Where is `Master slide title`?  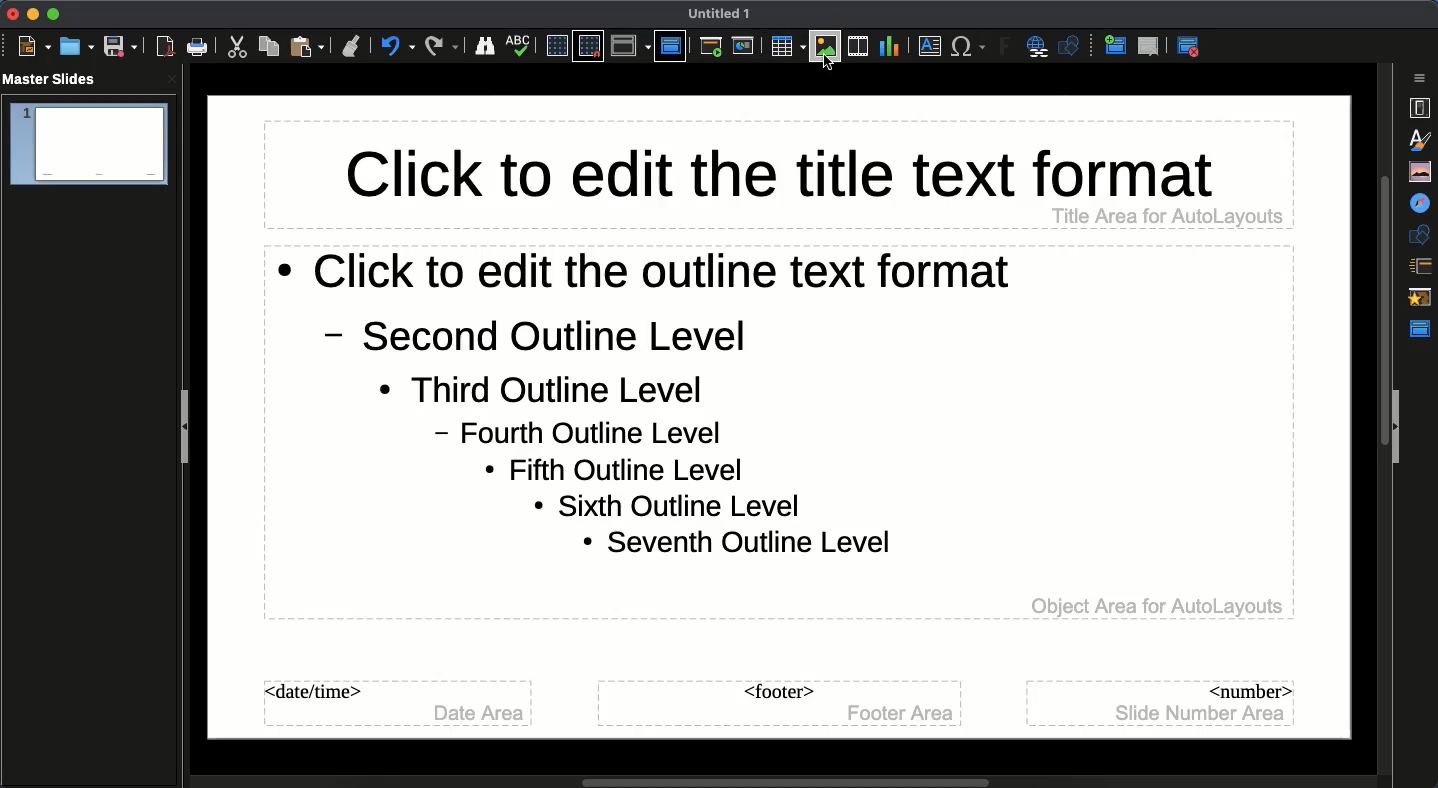 Master slide title is located at coordinates (776, 174).